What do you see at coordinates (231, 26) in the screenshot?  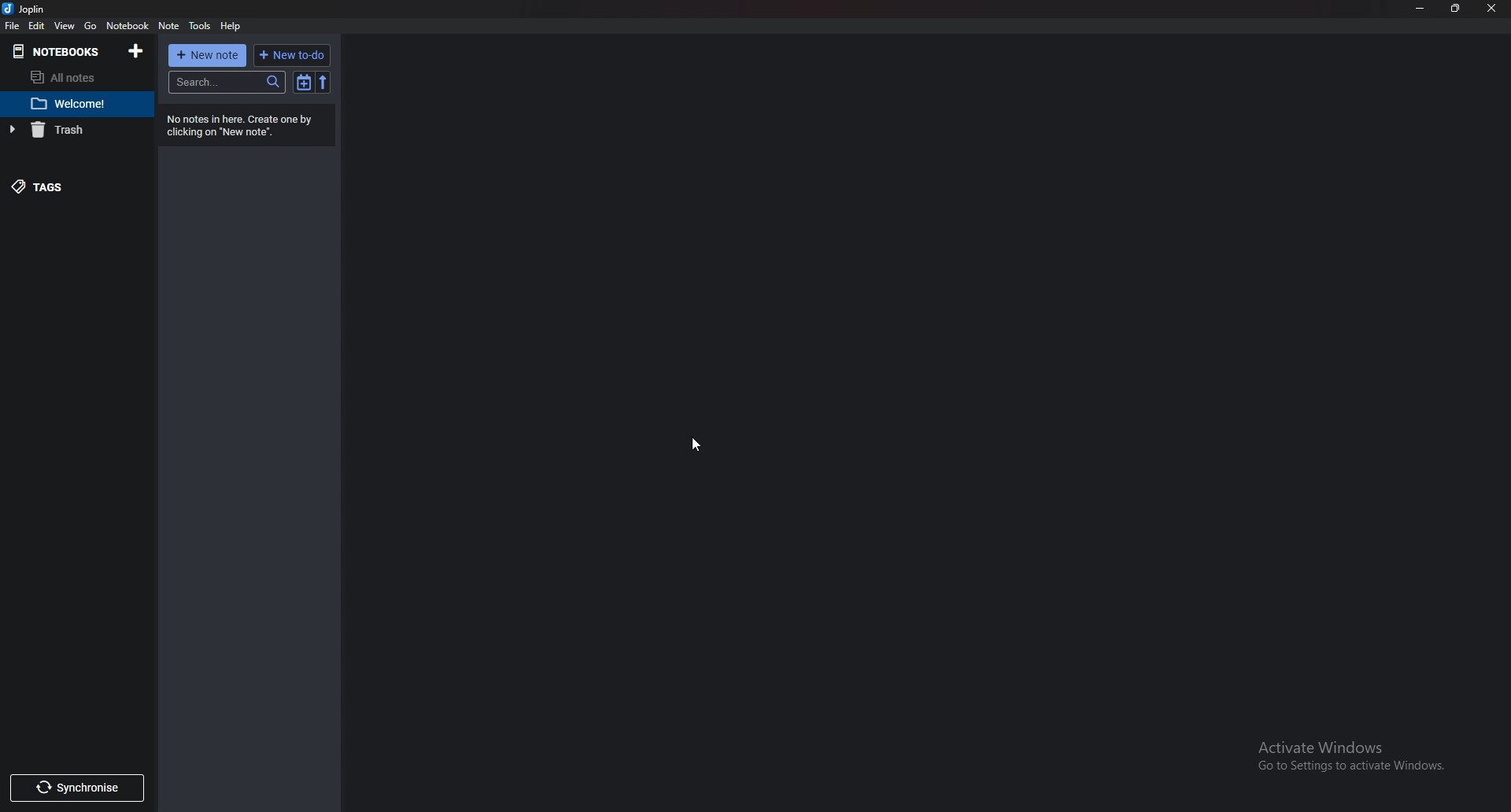 I see `help` at bounding box center [231, 26].